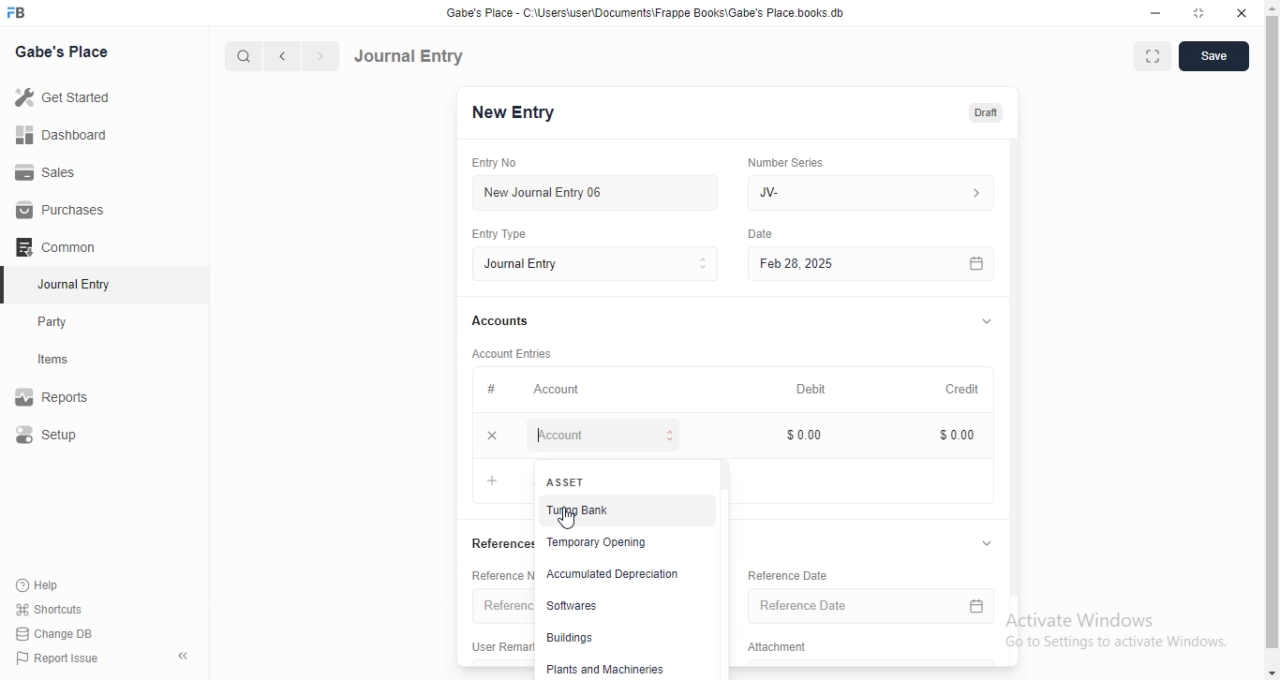 This screenshot has height=680, width=1280. Describe the element at coordinates (1153, 57) in the screenshot. I see `full screen` at that location.